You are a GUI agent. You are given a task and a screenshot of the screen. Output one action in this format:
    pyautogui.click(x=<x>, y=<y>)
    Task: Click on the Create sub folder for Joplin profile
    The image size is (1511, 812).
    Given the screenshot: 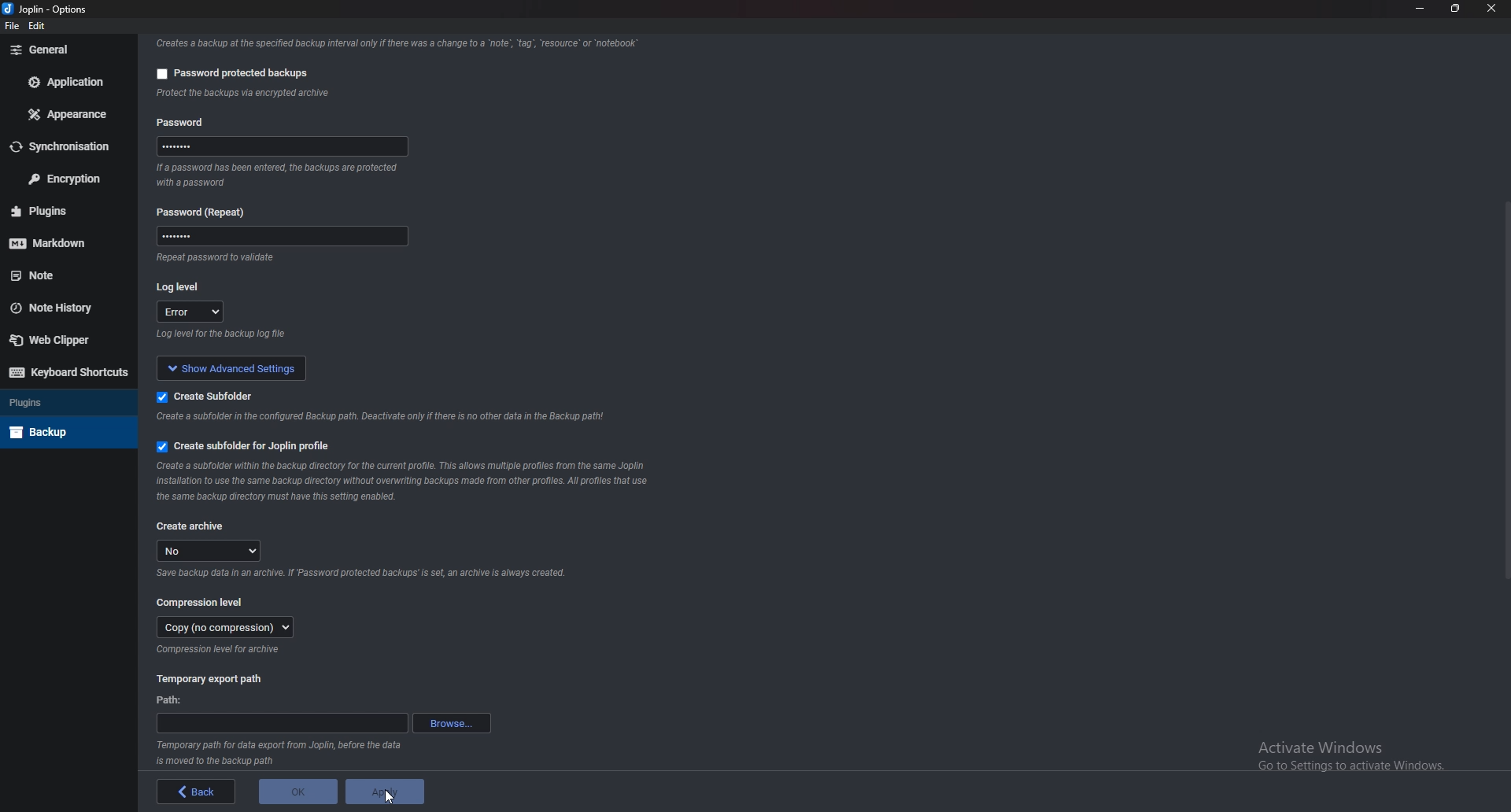 What is the action you would take?
    pyautogui.click(x=242, y=447)
    